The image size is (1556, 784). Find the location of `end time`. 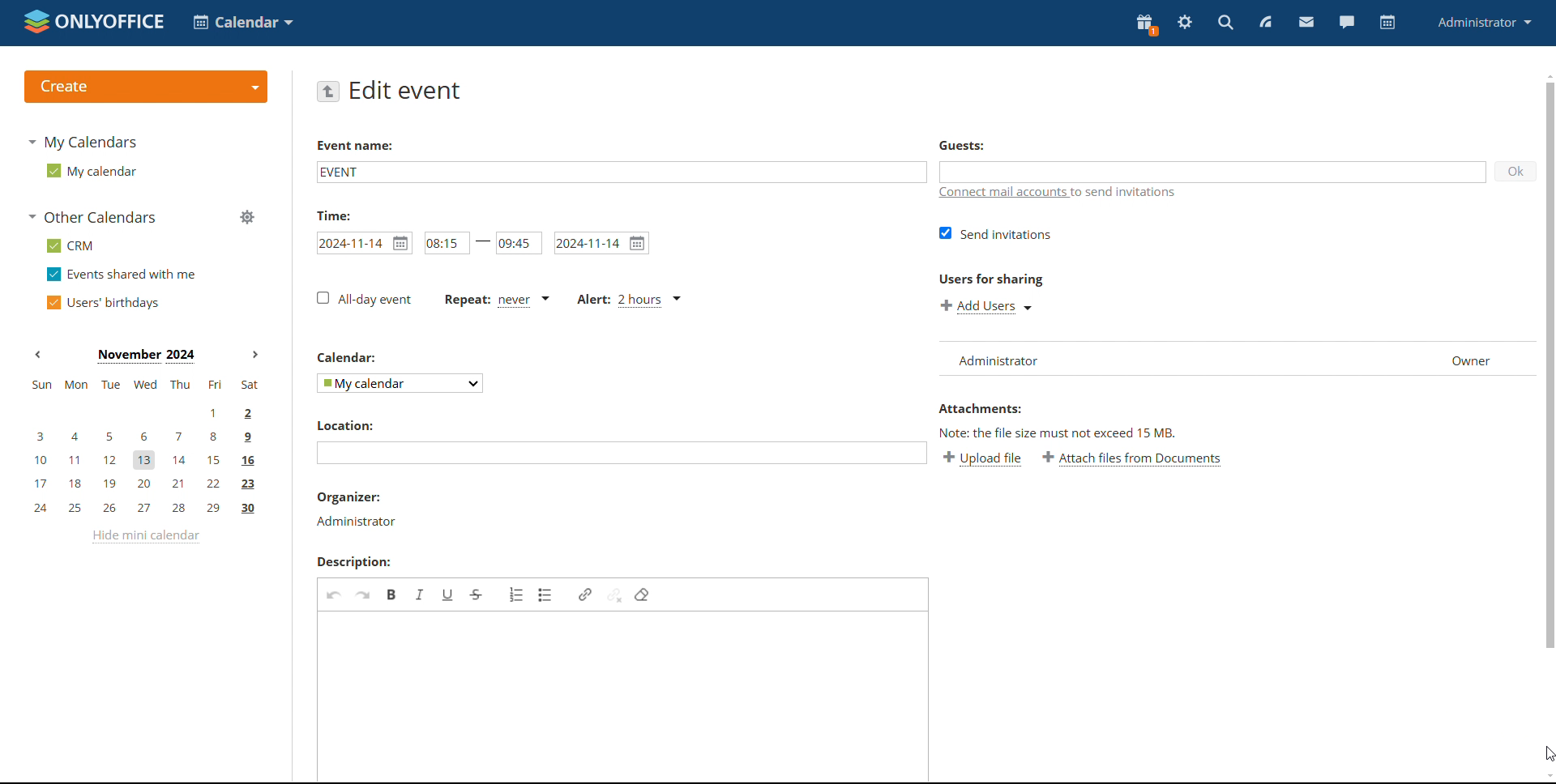

end time is located at coordinates (519, 244).